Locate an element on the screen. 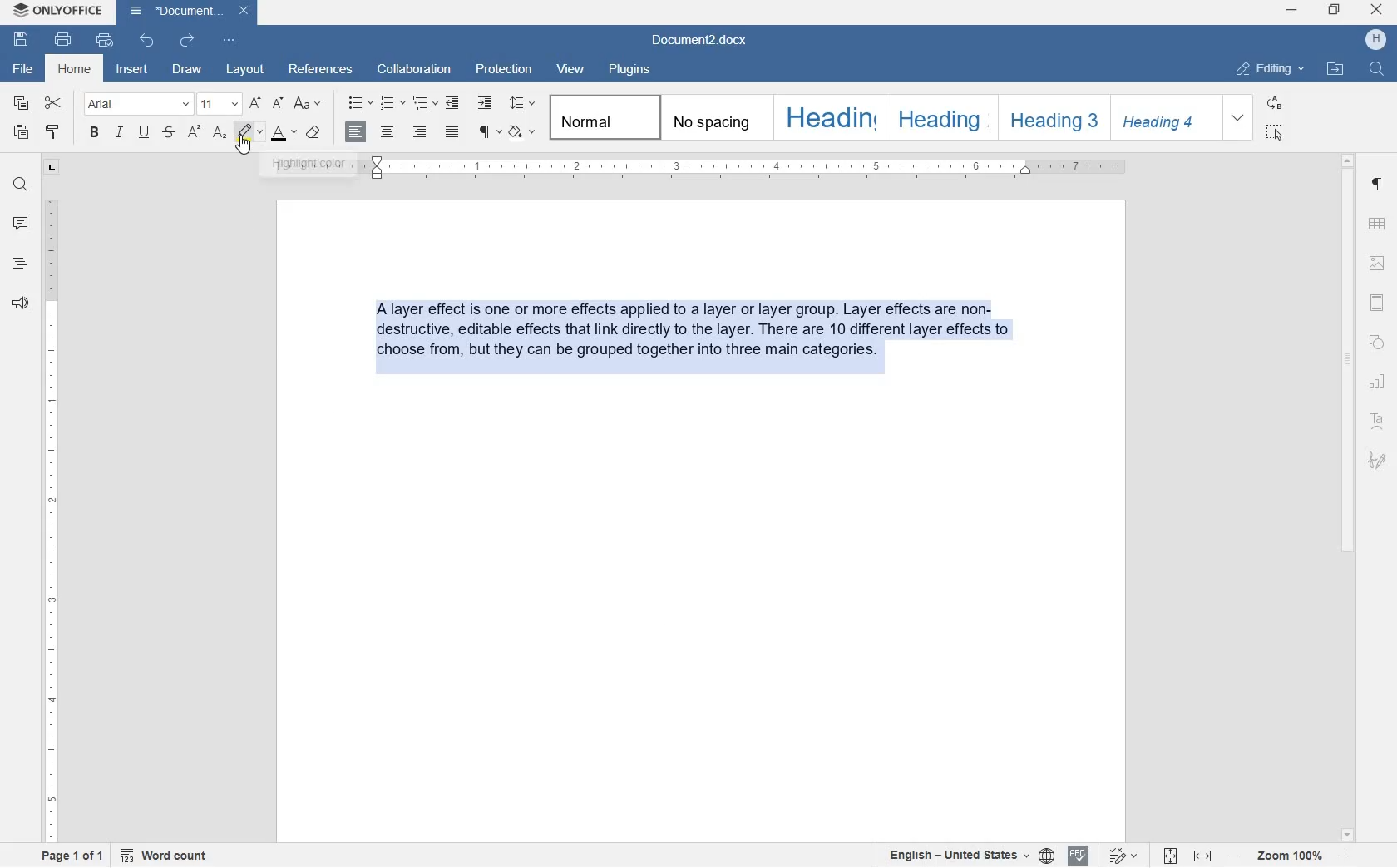  Document2.docx is located at coordinates (699, 42).